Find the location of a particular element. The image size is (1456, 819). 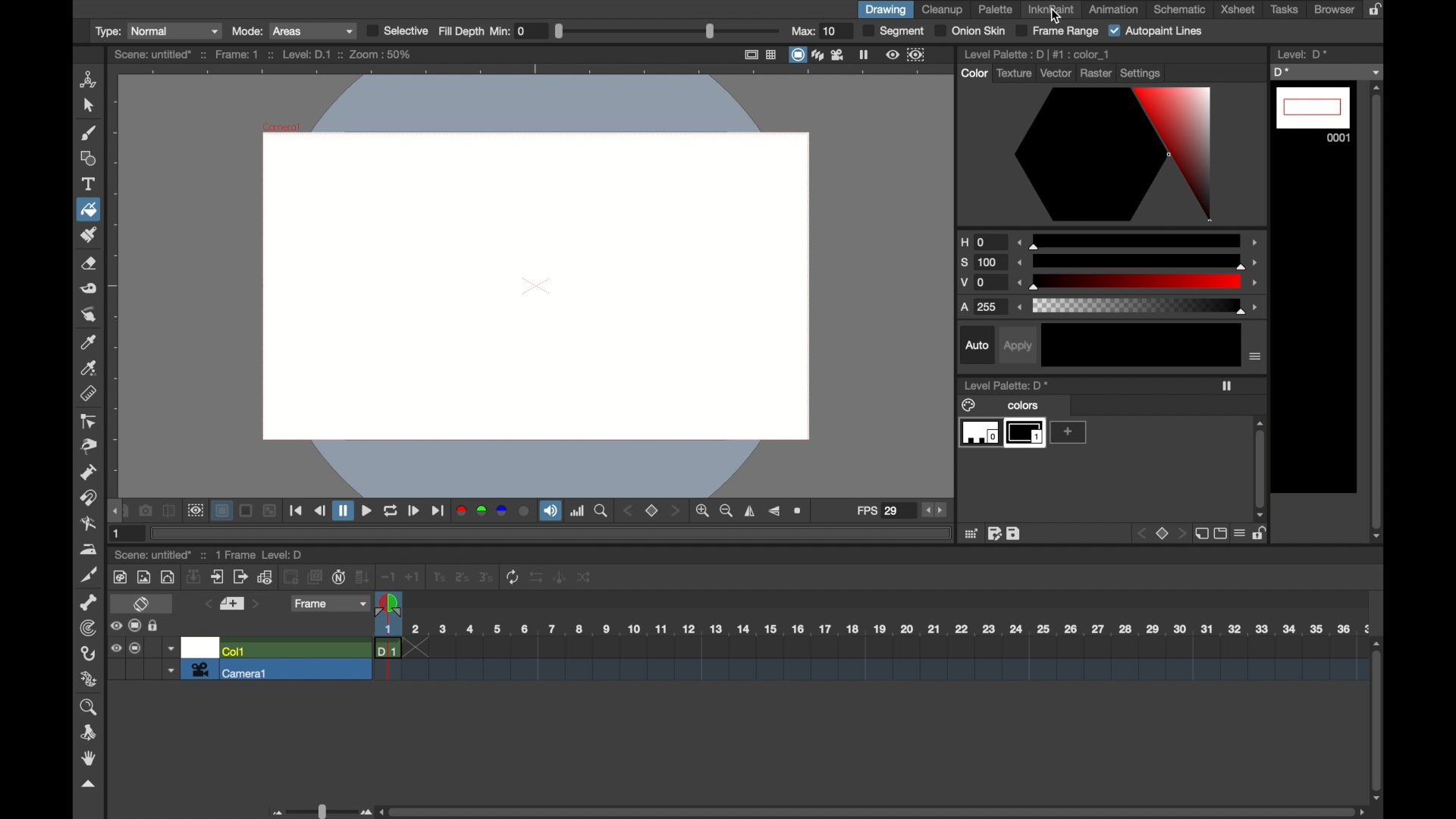

level is located at coordinates (978, 434).